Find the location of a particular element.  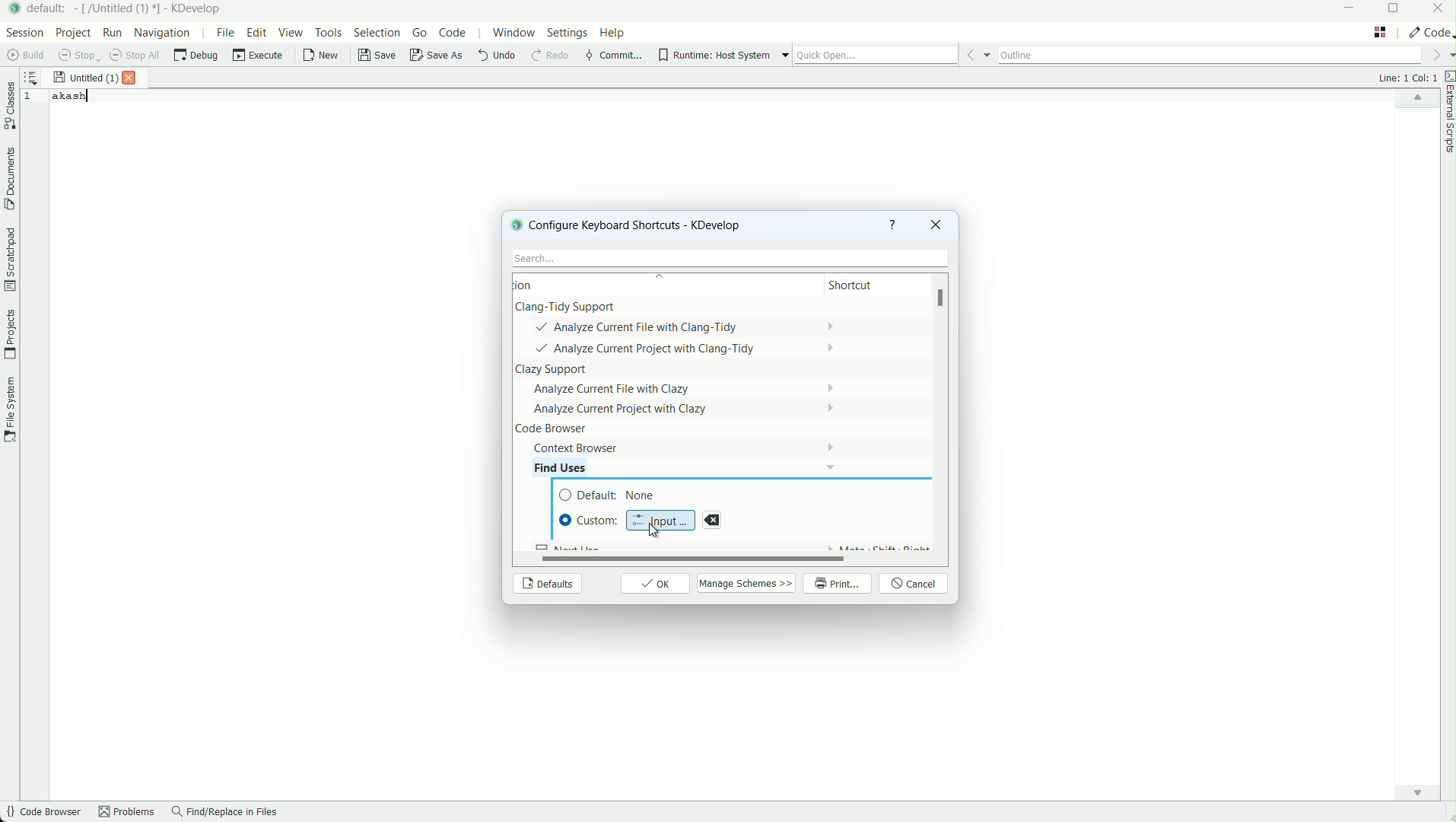

close app is located at coordinates (1439, 10).